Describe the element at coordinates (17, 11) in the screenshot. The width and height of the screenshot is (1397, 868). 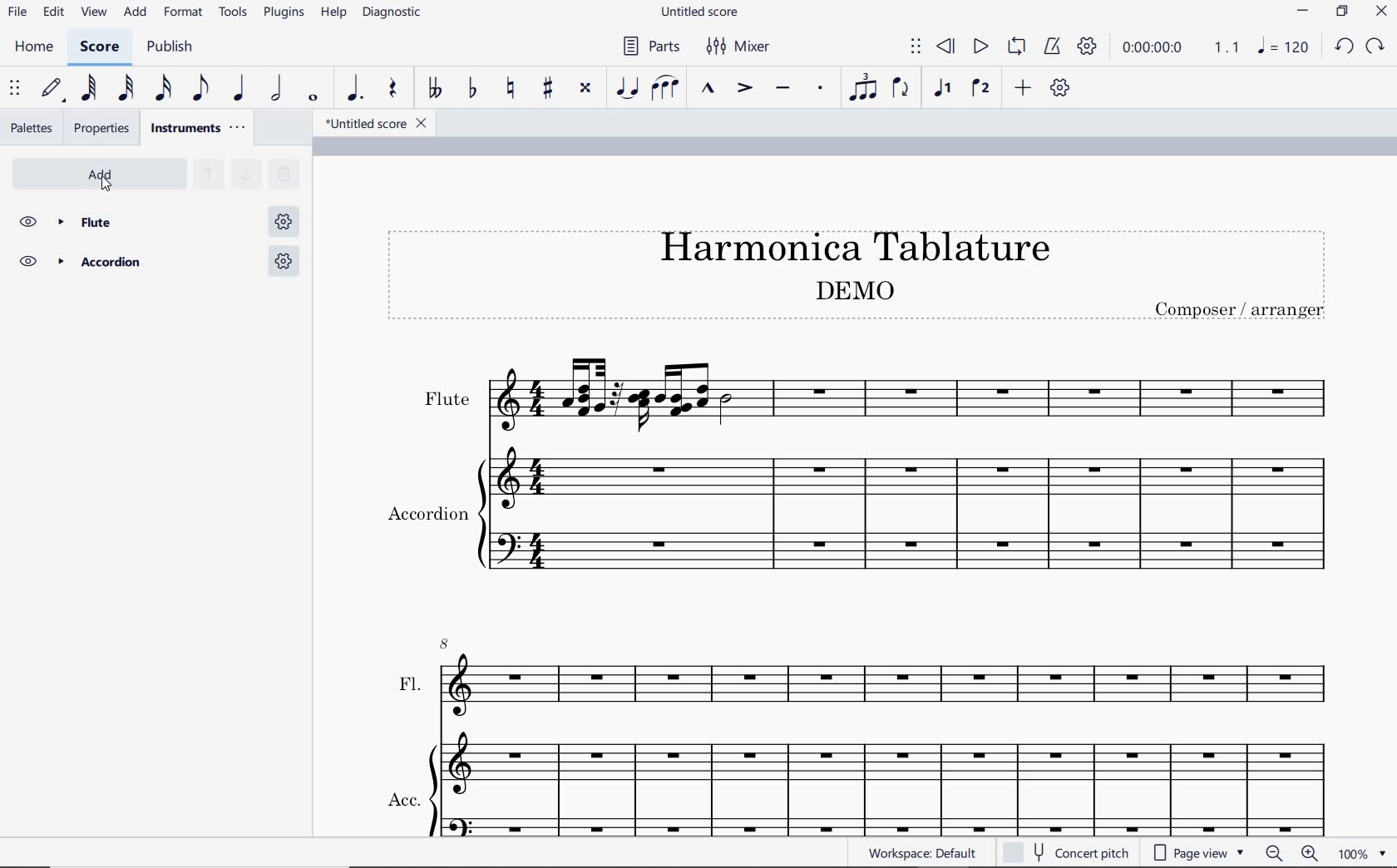
I see `FILE` at that location.